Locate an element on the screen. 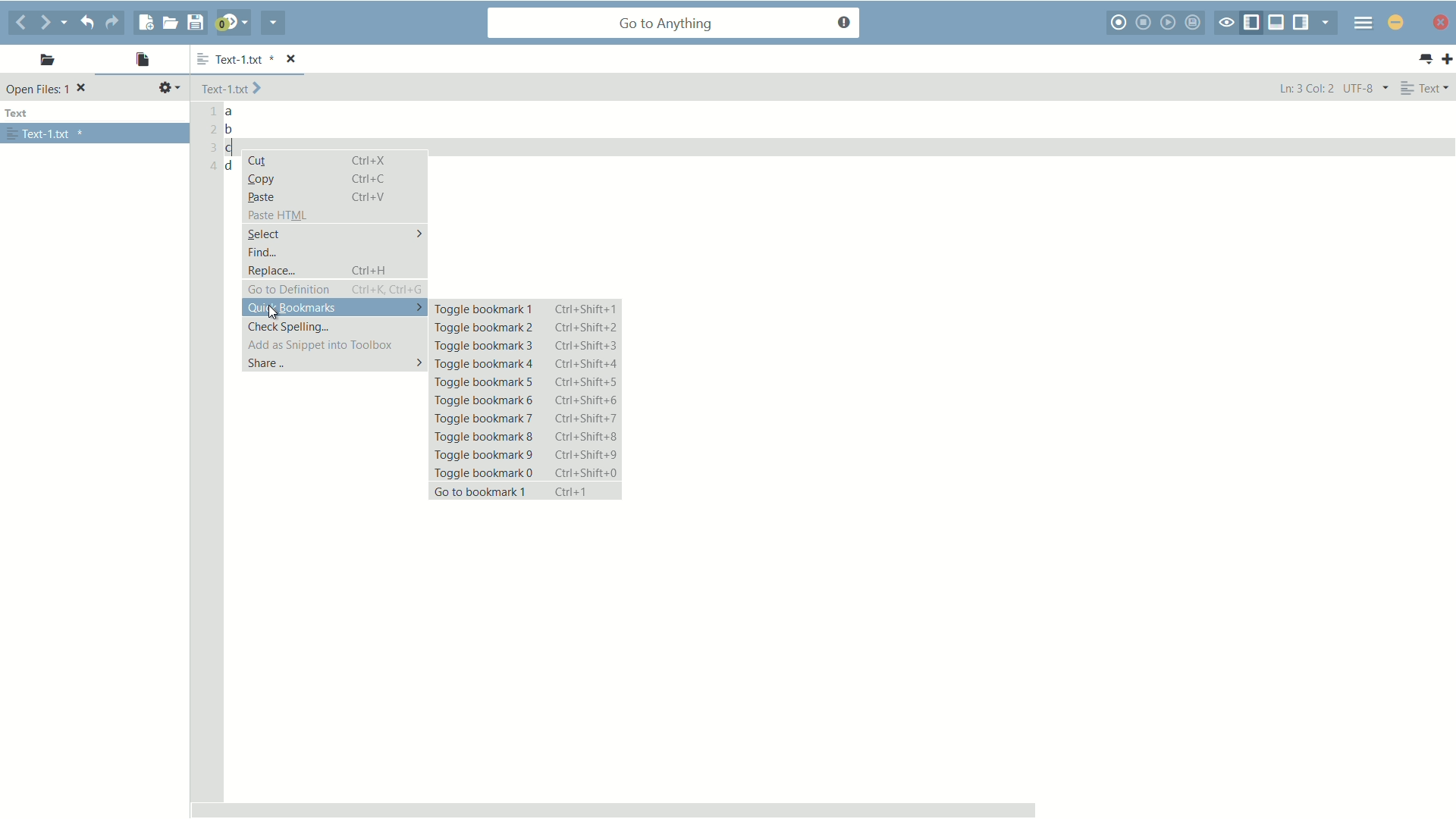 The image size is (1456, 819). show/hide left pane is located at coordinates (1254, 21).